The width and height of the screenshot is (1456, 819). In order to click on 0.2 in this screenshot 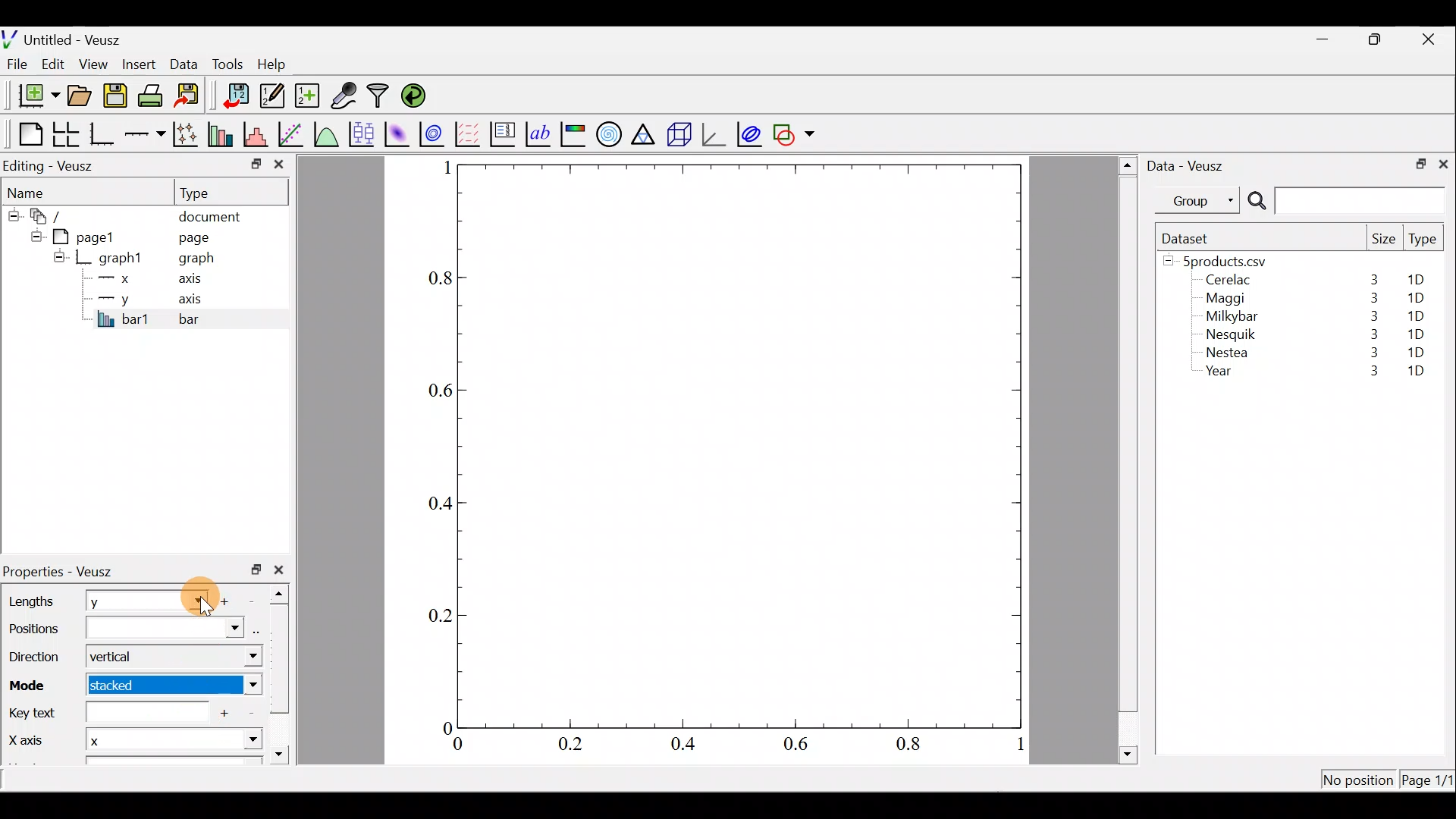, I will do `click(570, 743)`.